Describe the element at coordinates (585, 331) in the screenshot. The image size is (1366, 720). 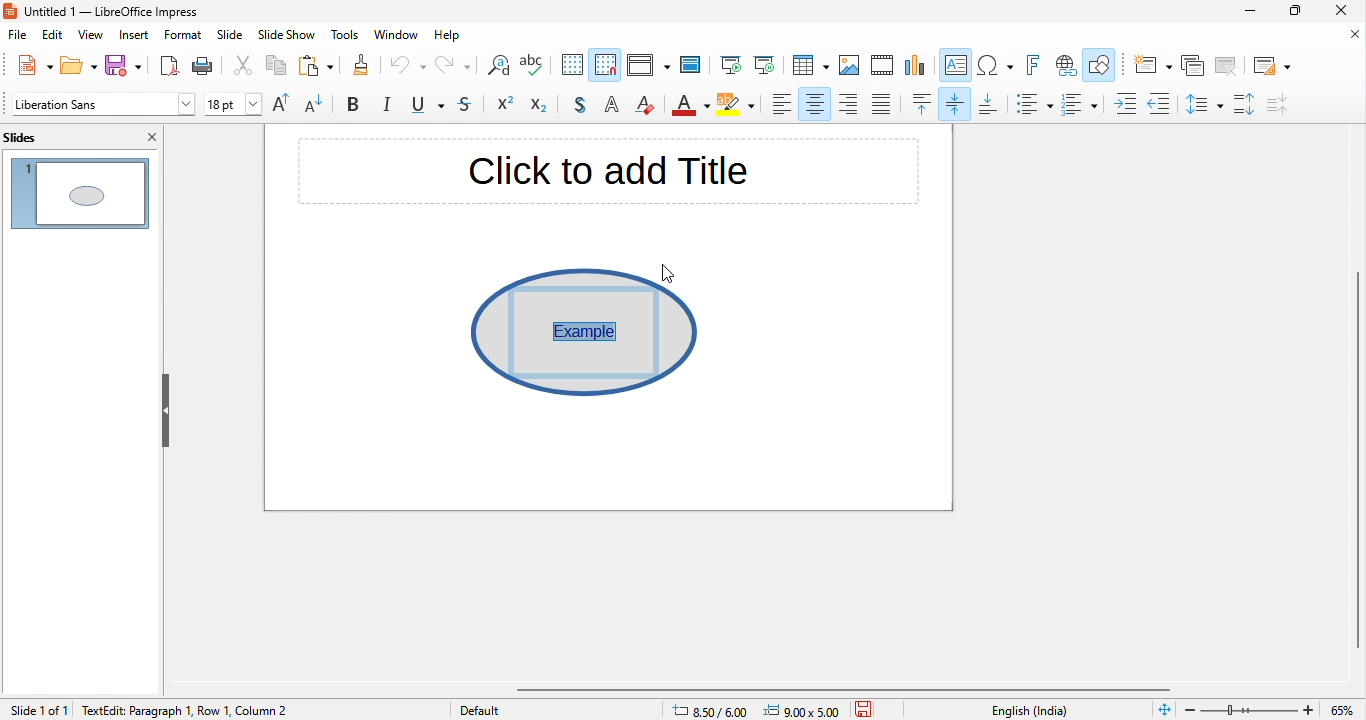
I see `clickable hyperlink inserted on a shape` at that location.